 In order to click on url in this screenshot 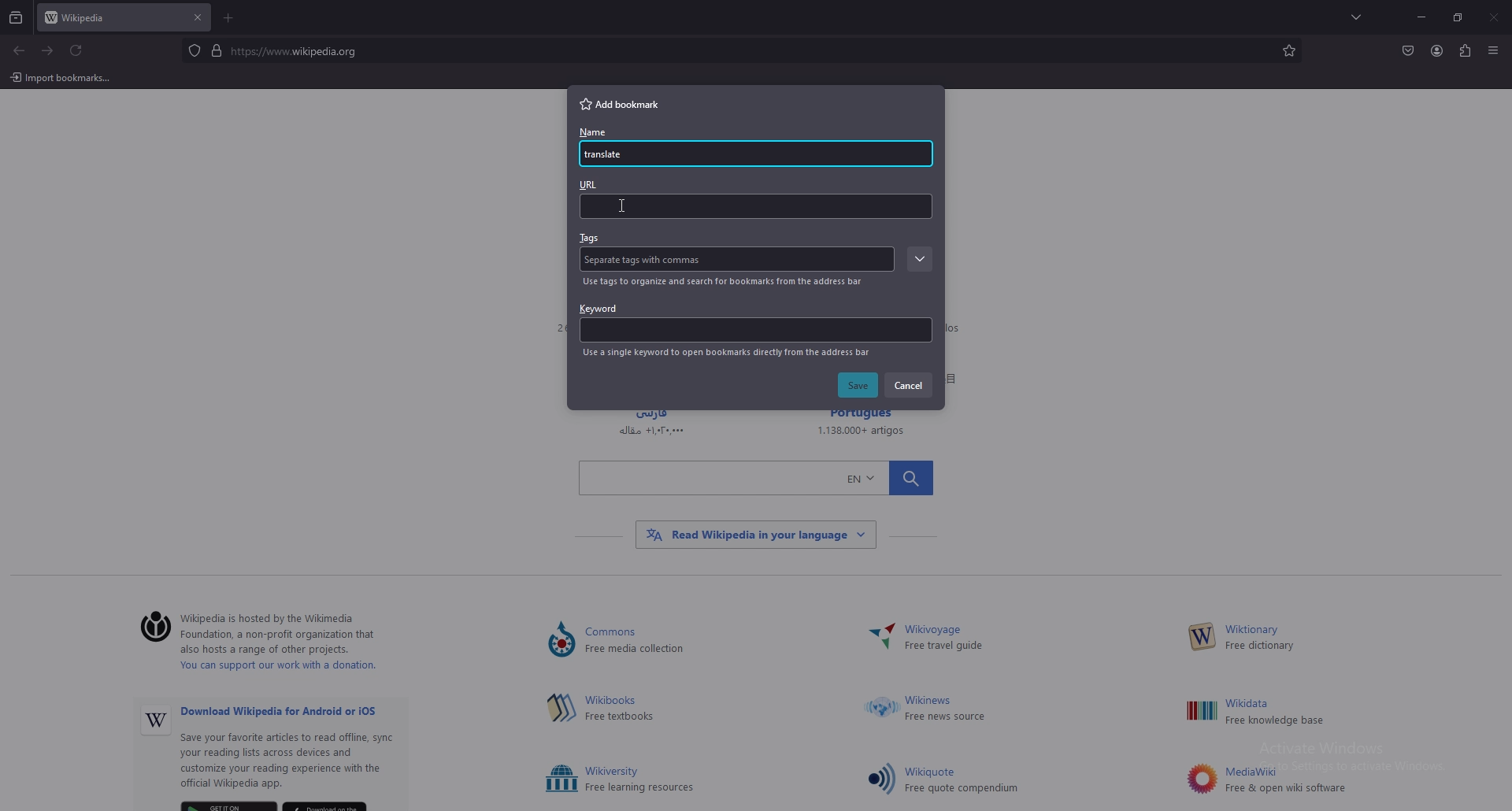, I will do `click(755, 198)`.